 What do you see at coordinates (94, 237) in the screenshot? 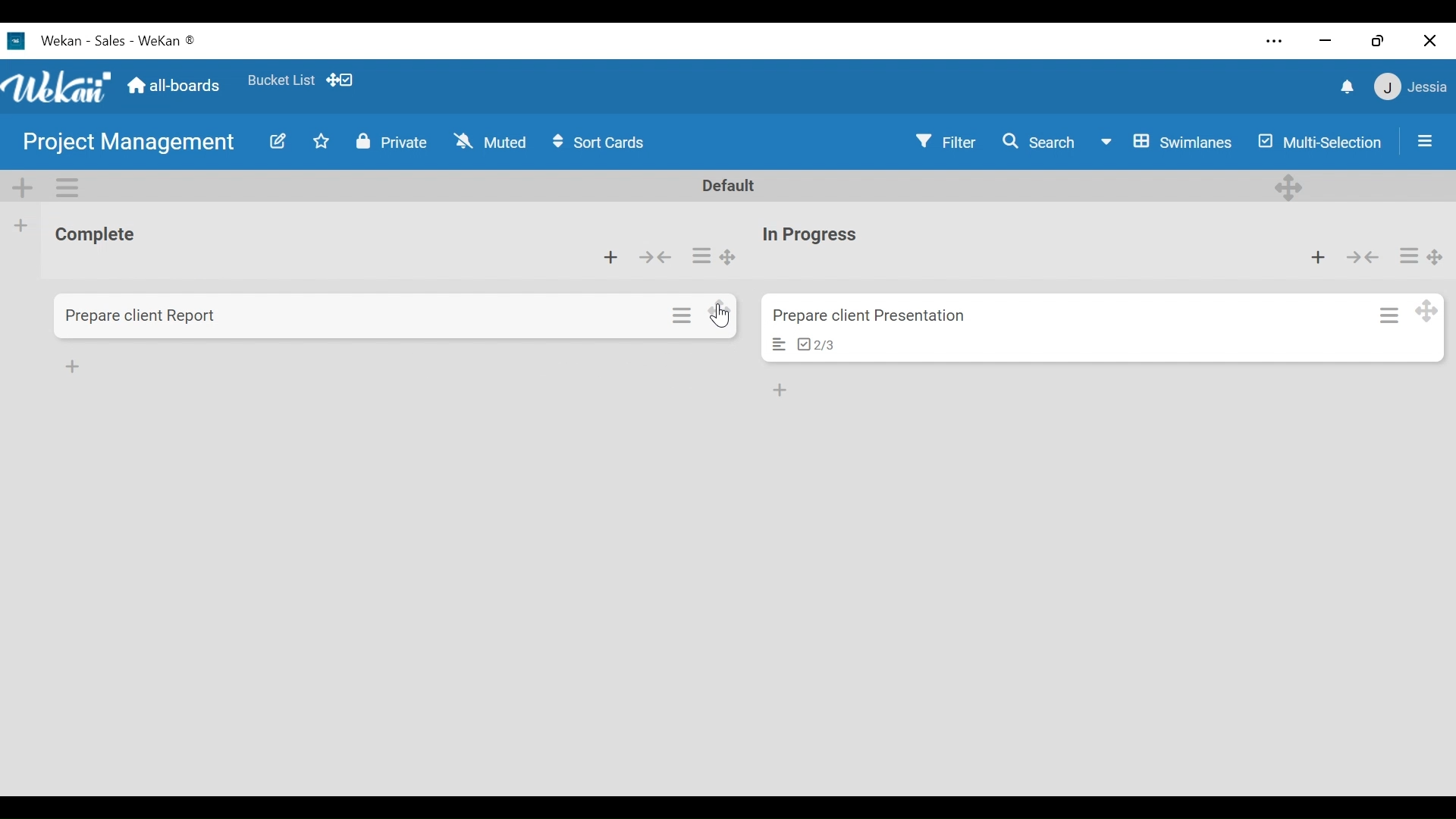
I see `List name` at bounding box center [94, 237].